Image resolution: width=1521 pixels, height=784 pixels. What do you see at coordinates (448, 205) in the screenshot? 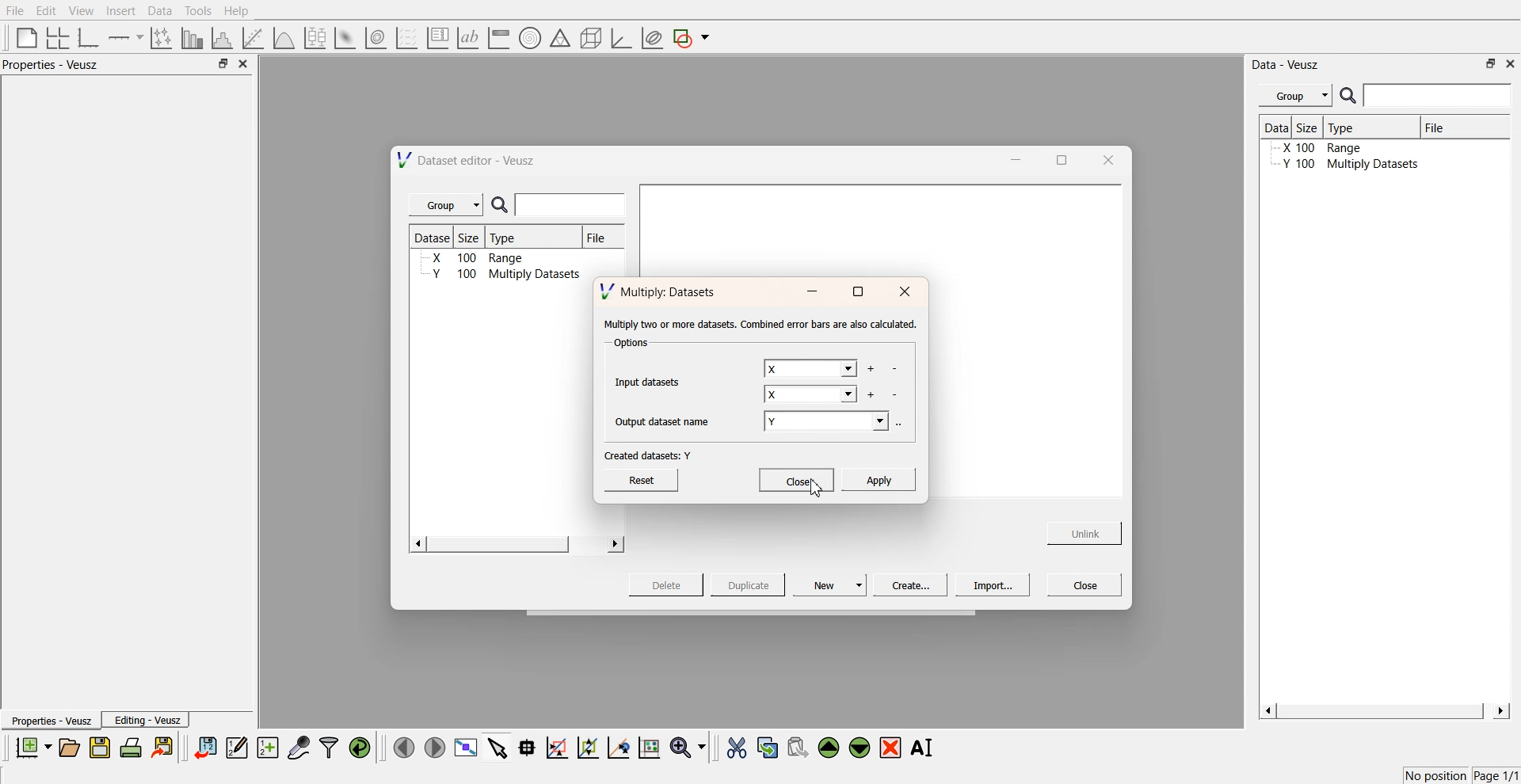
I see `Group |` at bounding box center [448, 205].